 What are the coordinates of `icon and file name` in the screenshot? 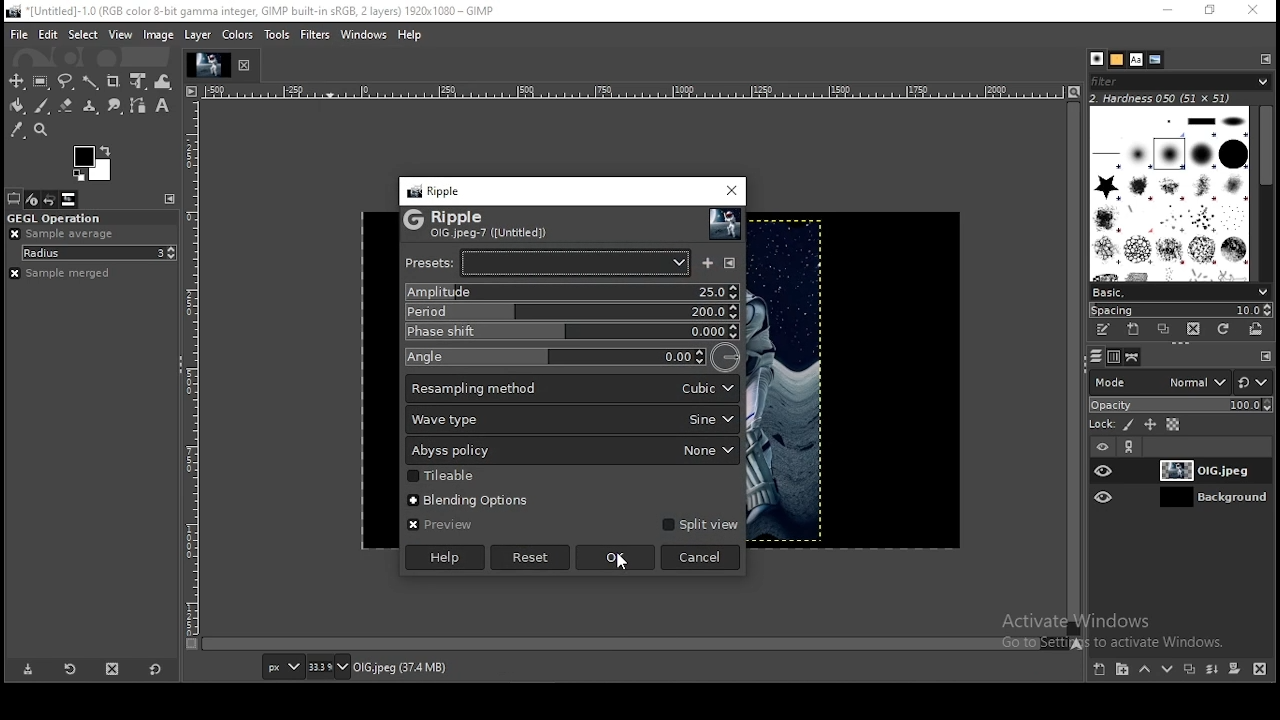 It's located at (253, 11).